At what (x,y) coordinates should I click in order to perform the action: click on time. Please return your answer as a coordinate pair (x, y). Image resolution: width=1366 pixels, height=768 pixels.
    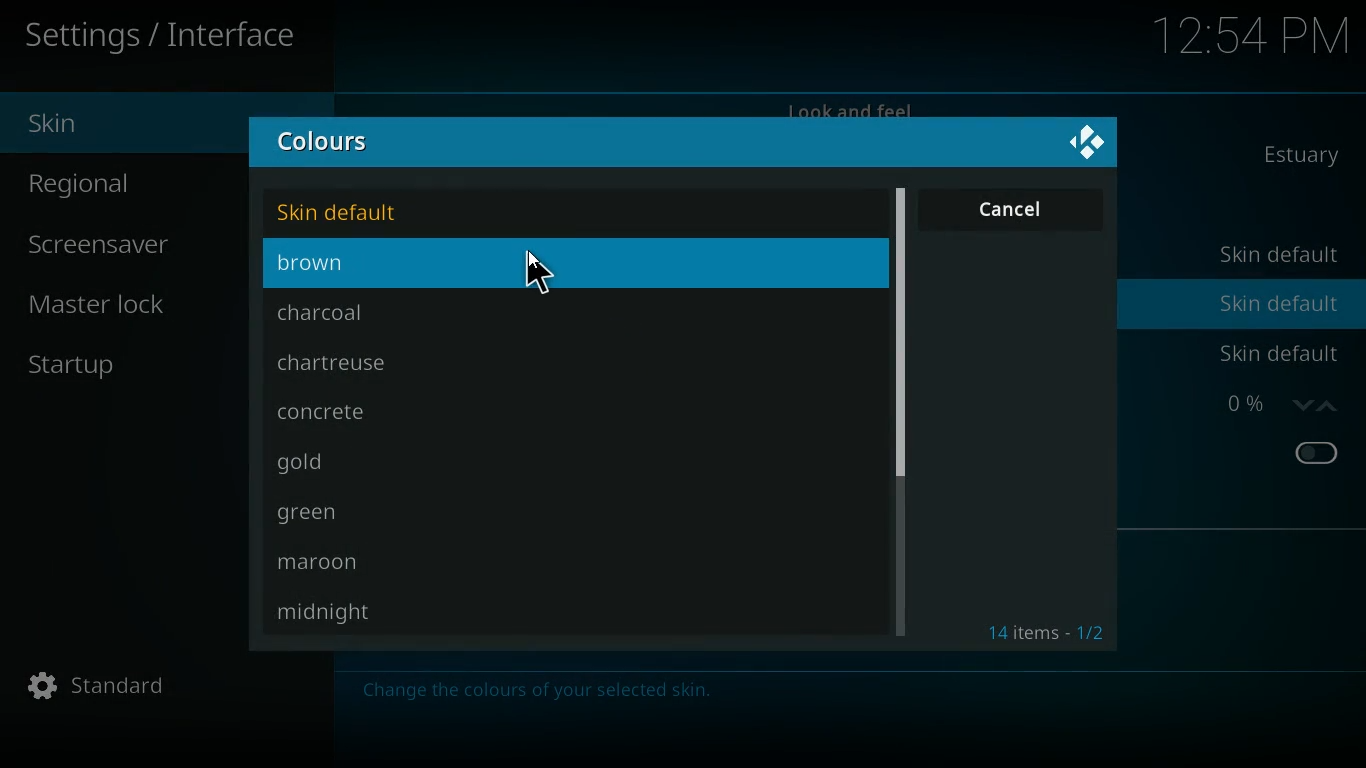
    Looking at the image, I should click on (1252, 33).